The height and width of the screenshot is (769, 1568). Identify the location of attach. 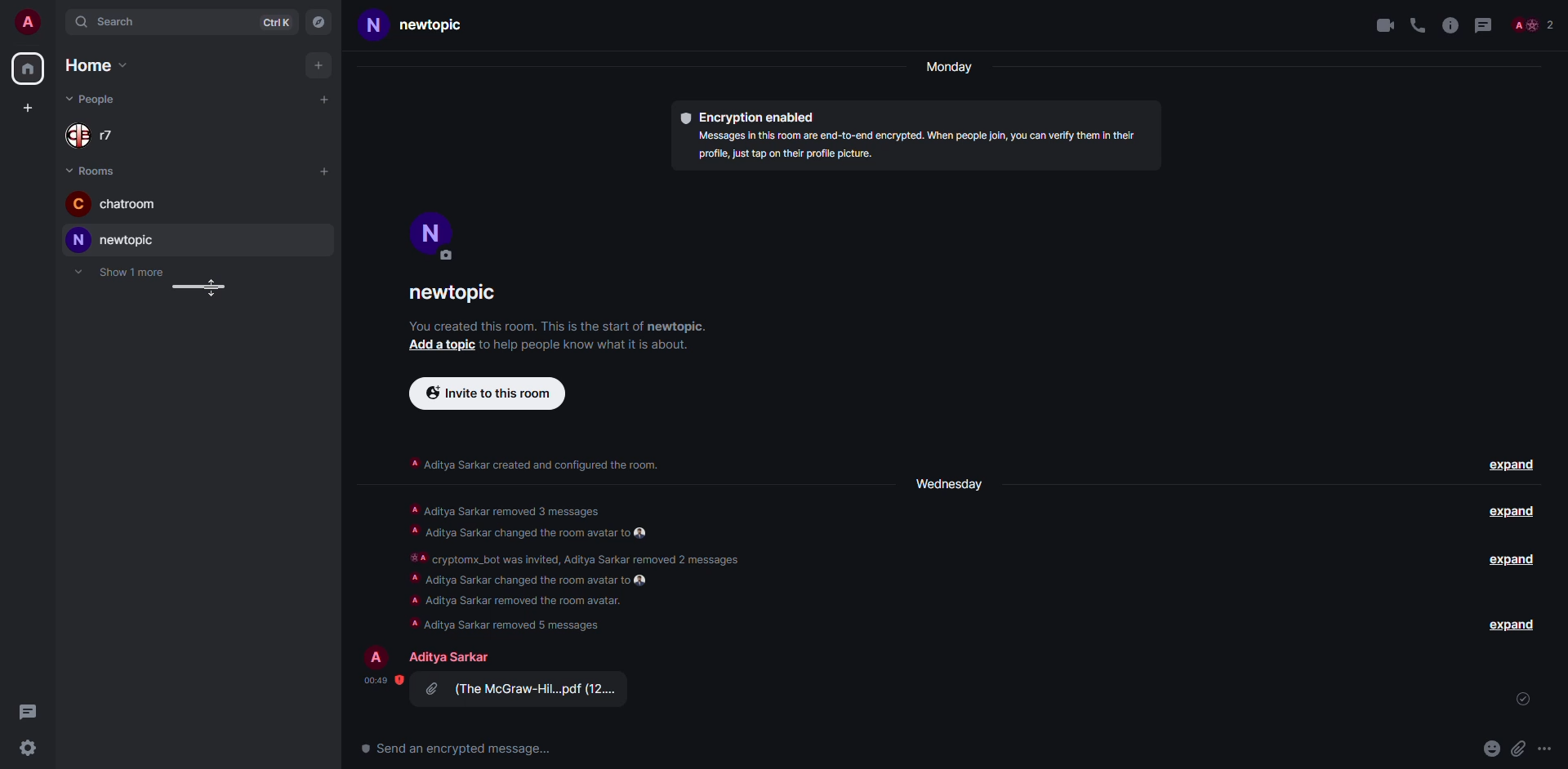
(1521, 749).